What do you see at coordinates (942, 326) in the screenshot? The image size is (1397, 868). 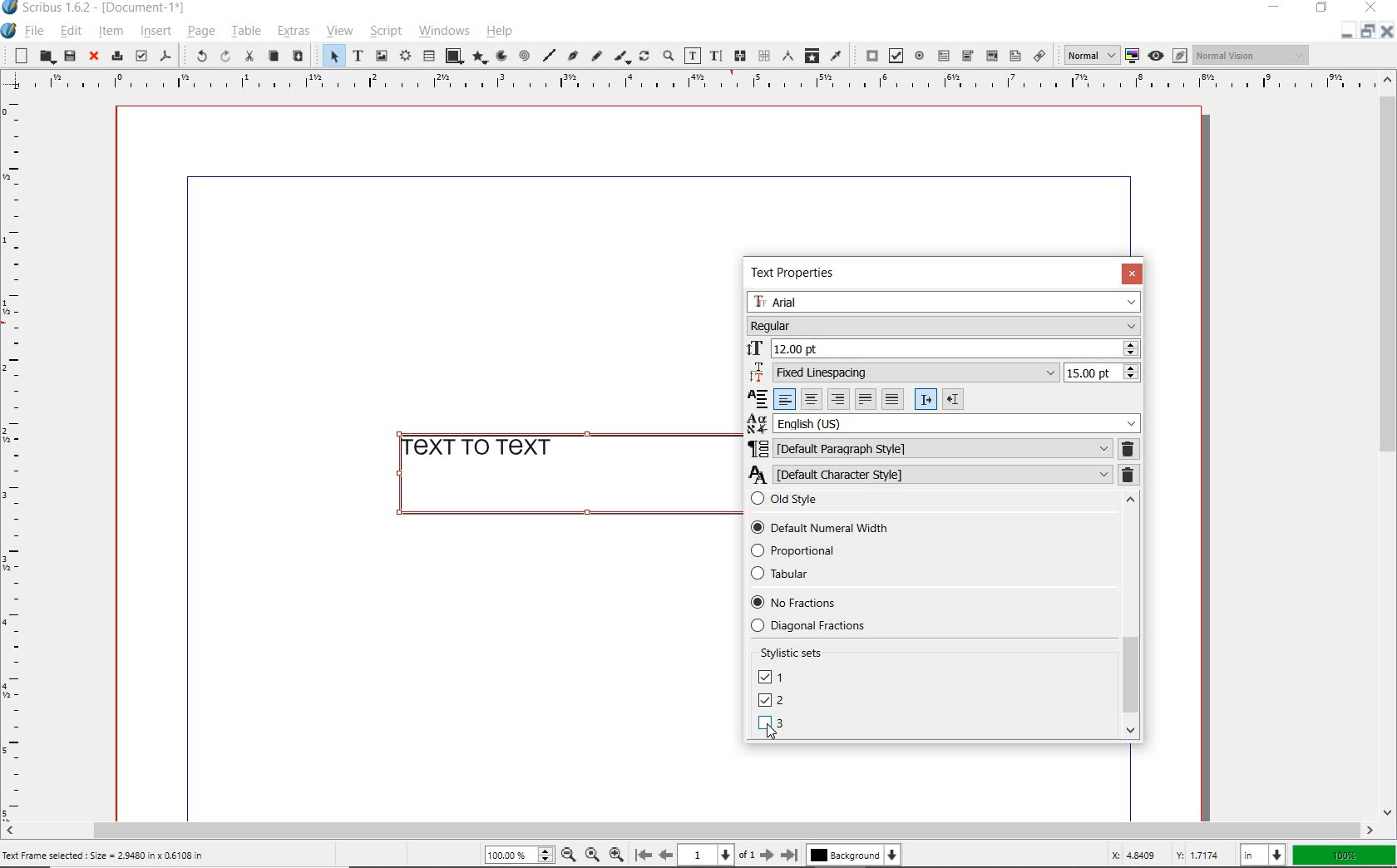 I see `Regular` at bounding box center [942, 326].